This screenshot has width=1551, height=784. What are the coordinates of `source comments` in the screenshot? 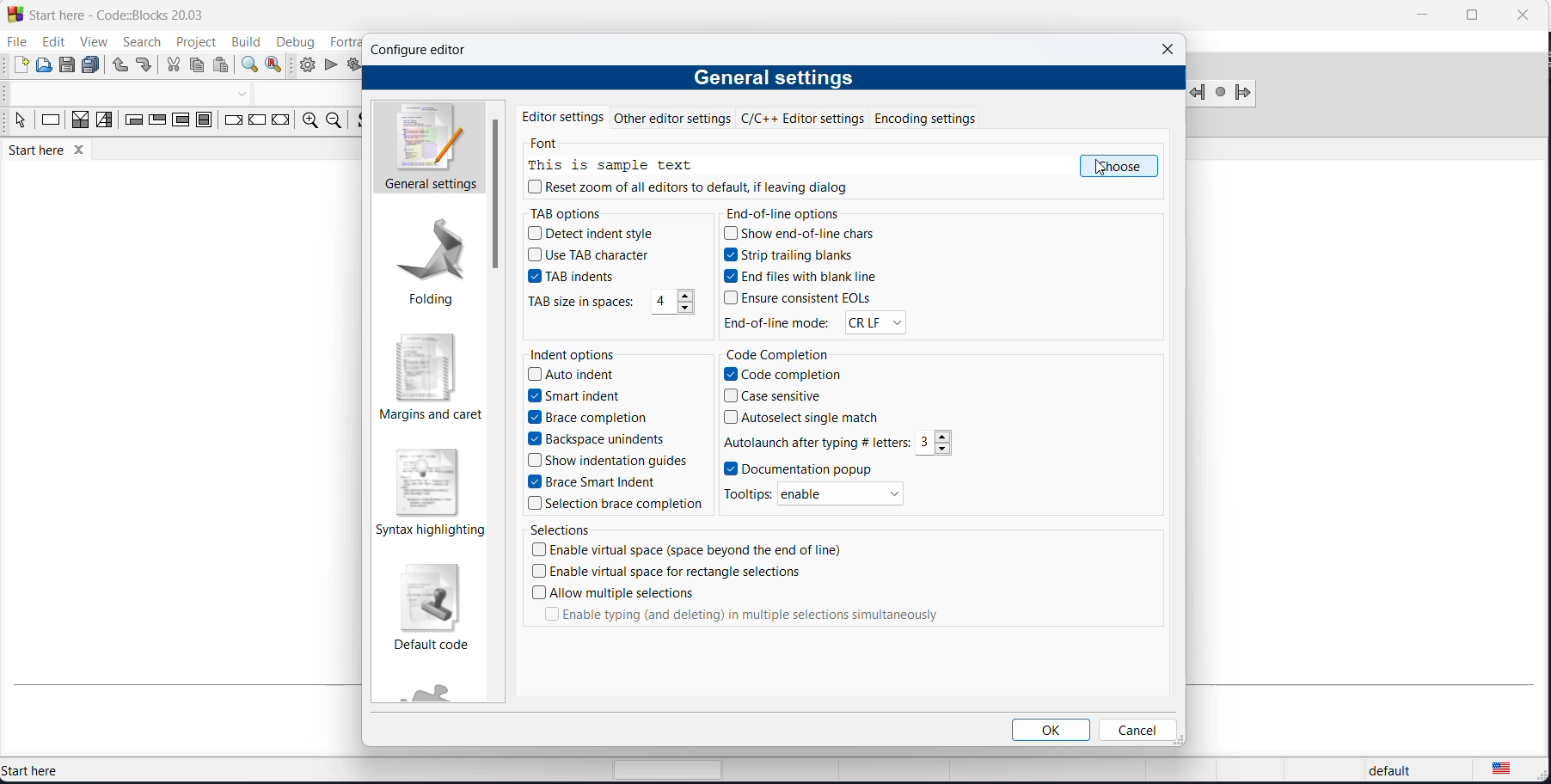 It's located at (359, 123).